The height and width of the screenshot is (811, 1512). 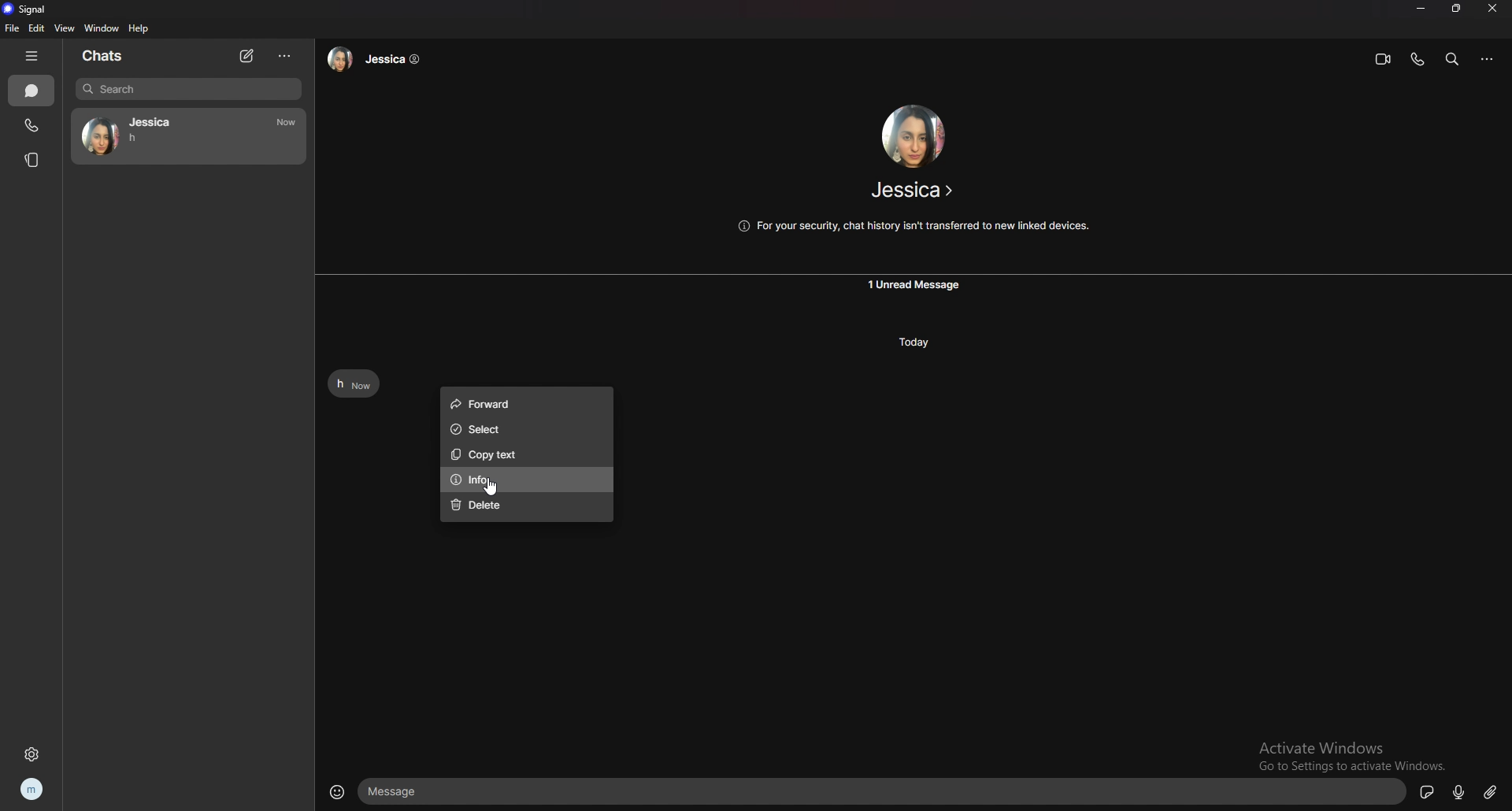 What do you see at coordinates (64, 28) in the screenshot?
I see `view` at bounding box center [64, 28].